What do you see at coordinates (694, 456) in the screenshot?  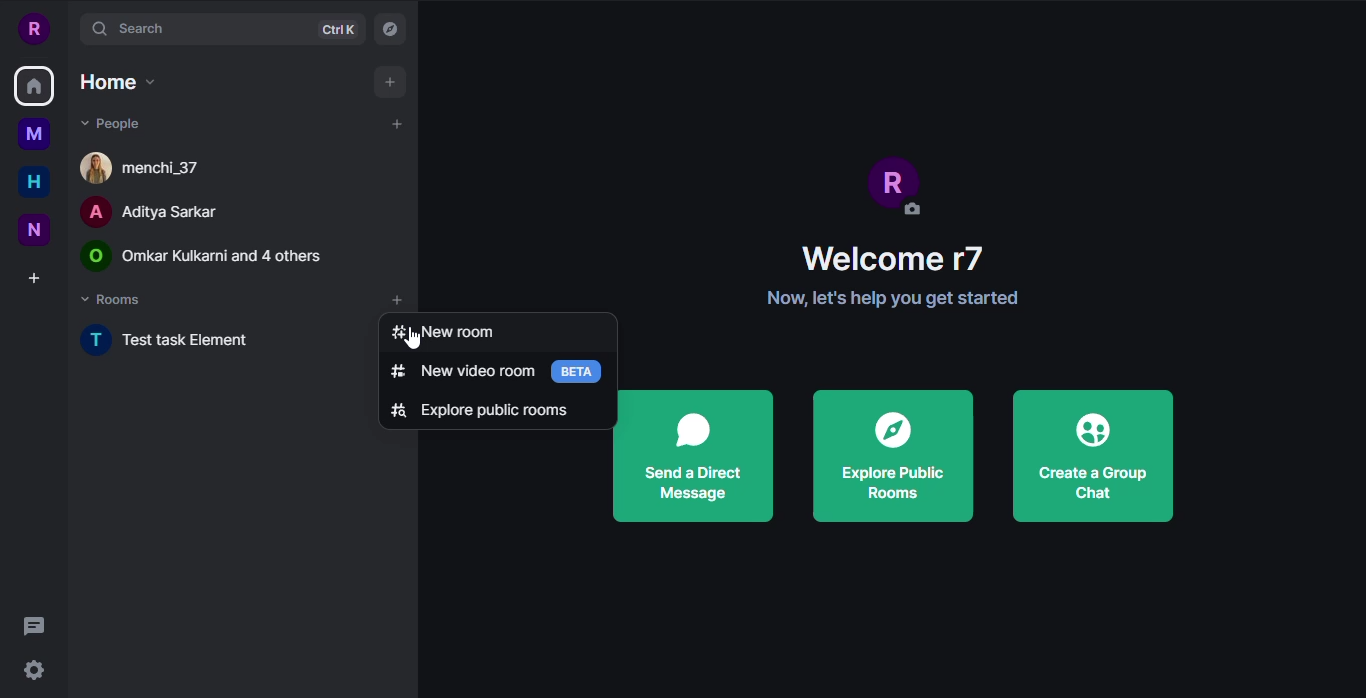 I see `send direct message` at bounding box center [694, 456].